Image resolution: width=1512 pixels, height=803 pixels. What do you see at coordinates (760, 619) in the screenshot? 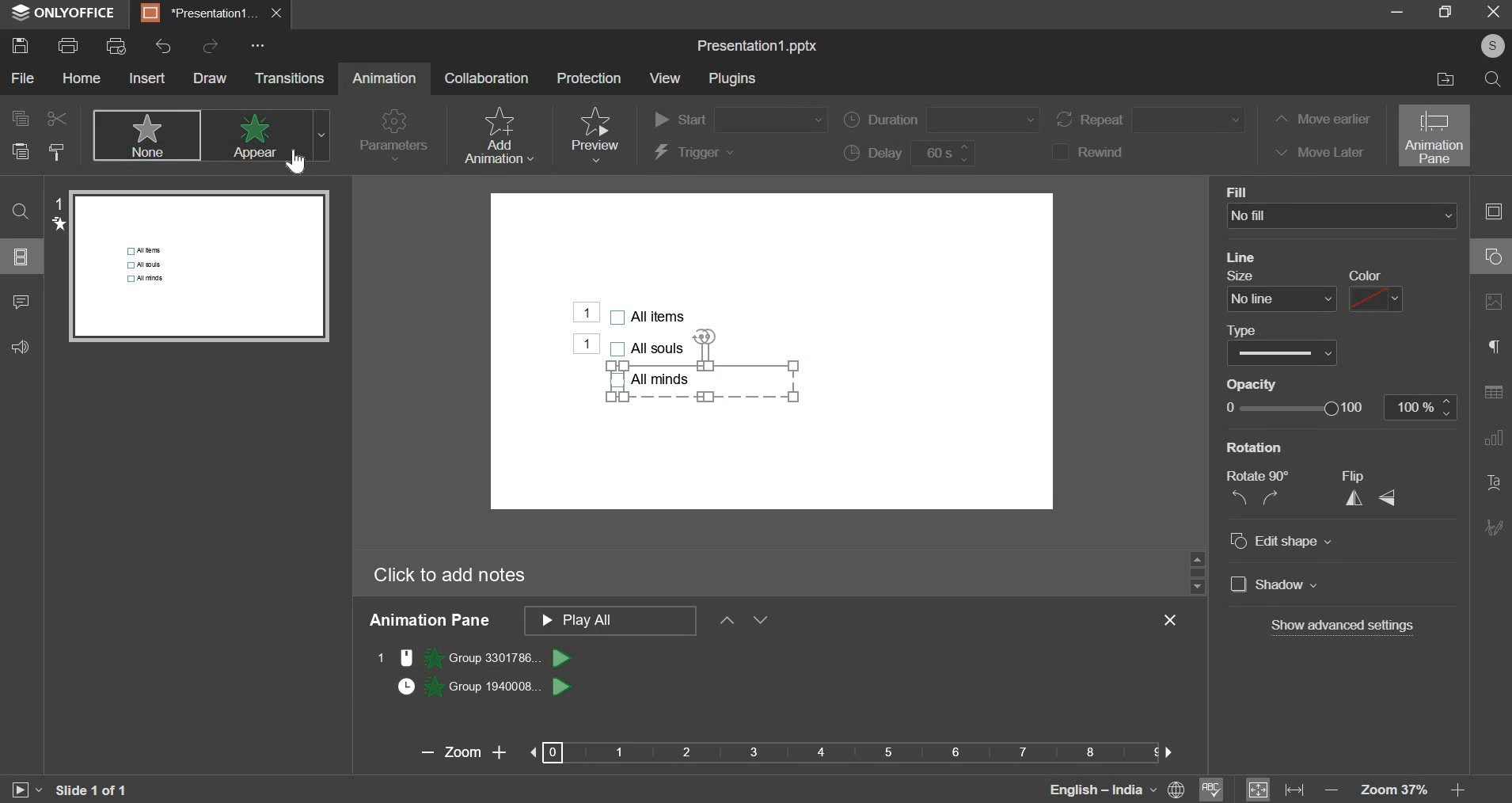
I see `move behind` at bounding box center [760, 619].